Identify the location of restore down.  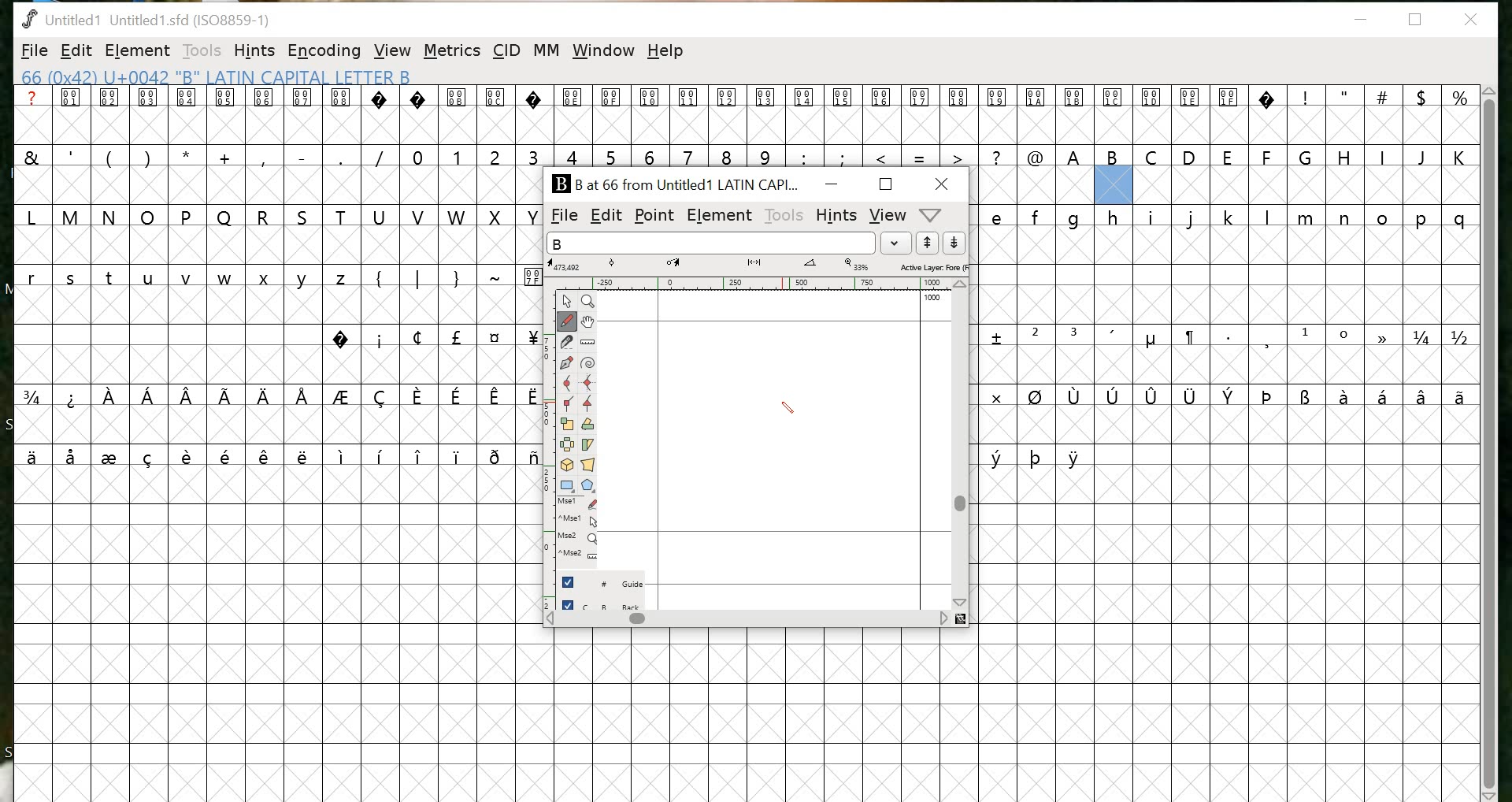
(1416, 20).